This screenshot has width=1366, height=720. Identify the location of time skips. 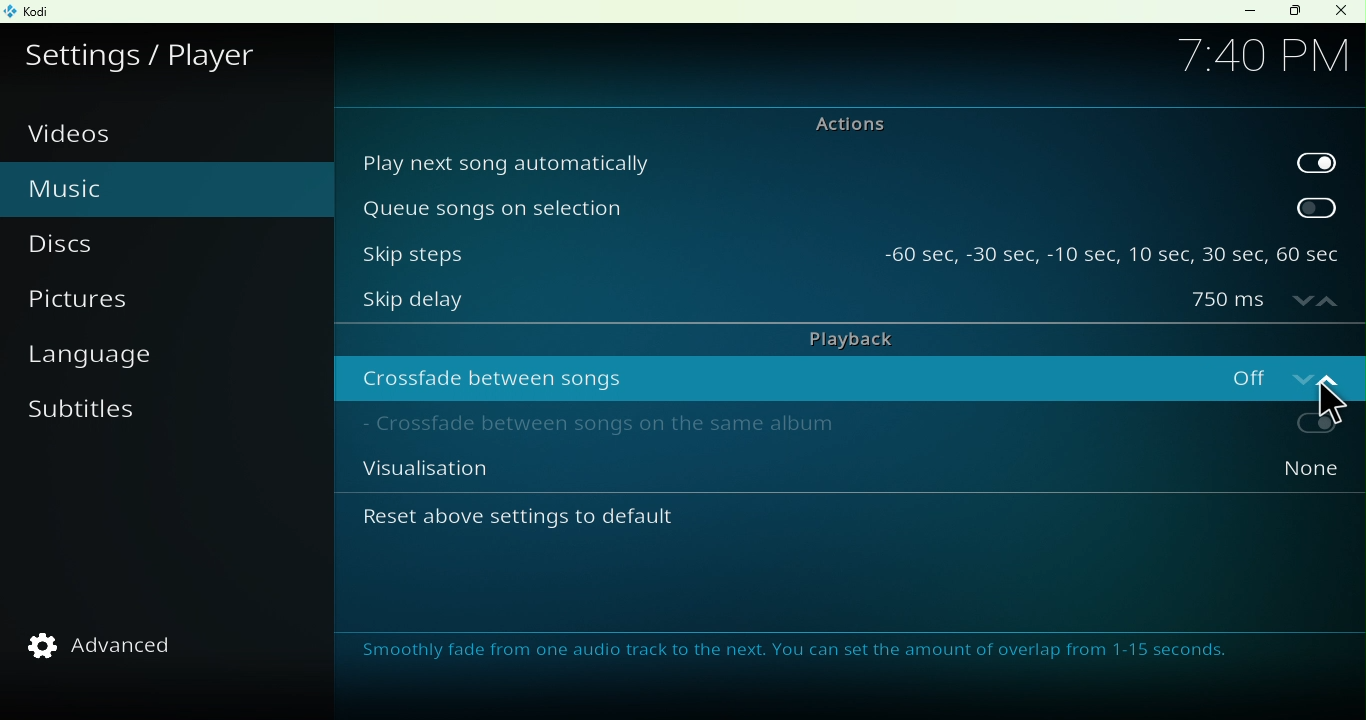
(1112, 248).